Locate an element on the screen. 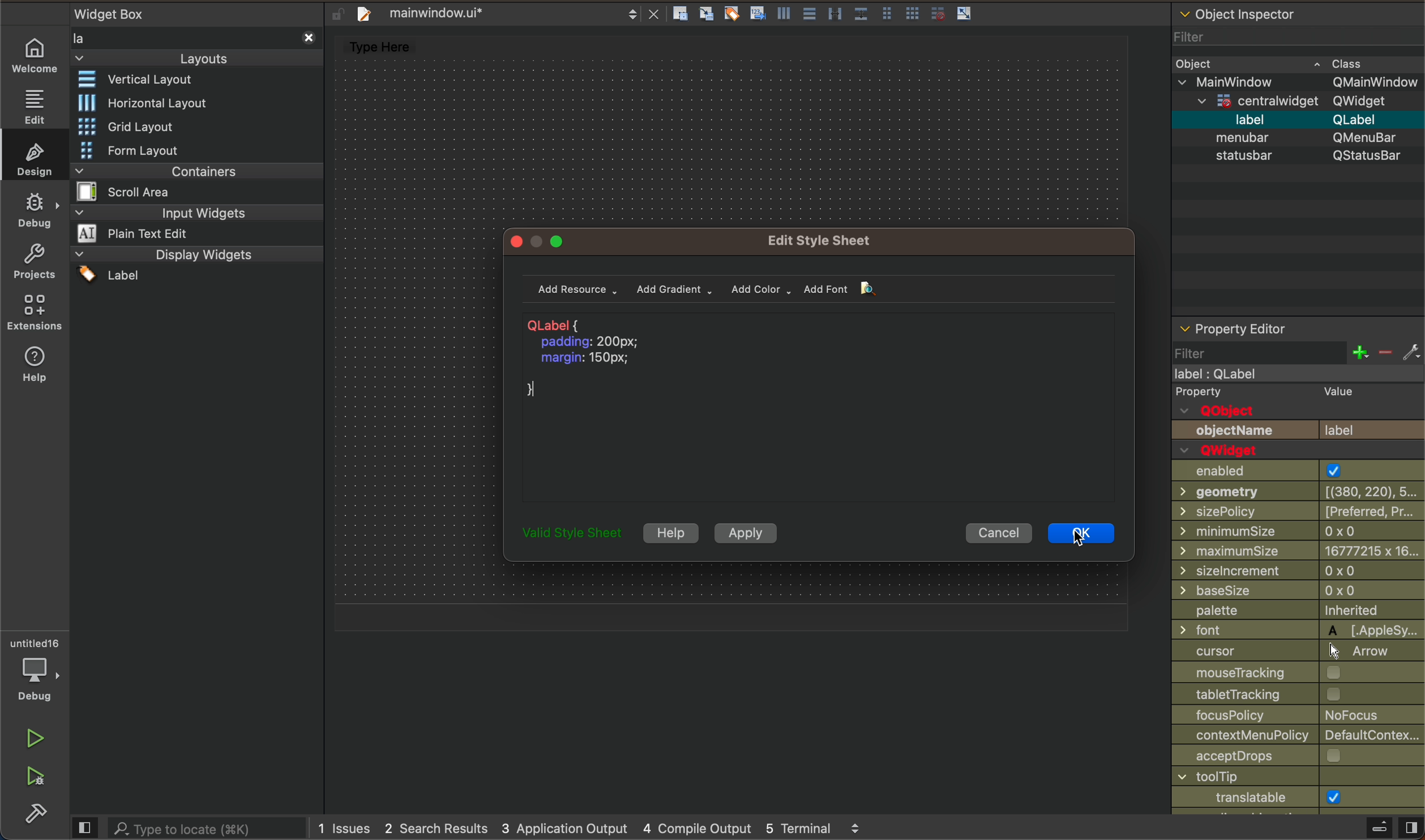  add color is located at coordinates (764, 288).